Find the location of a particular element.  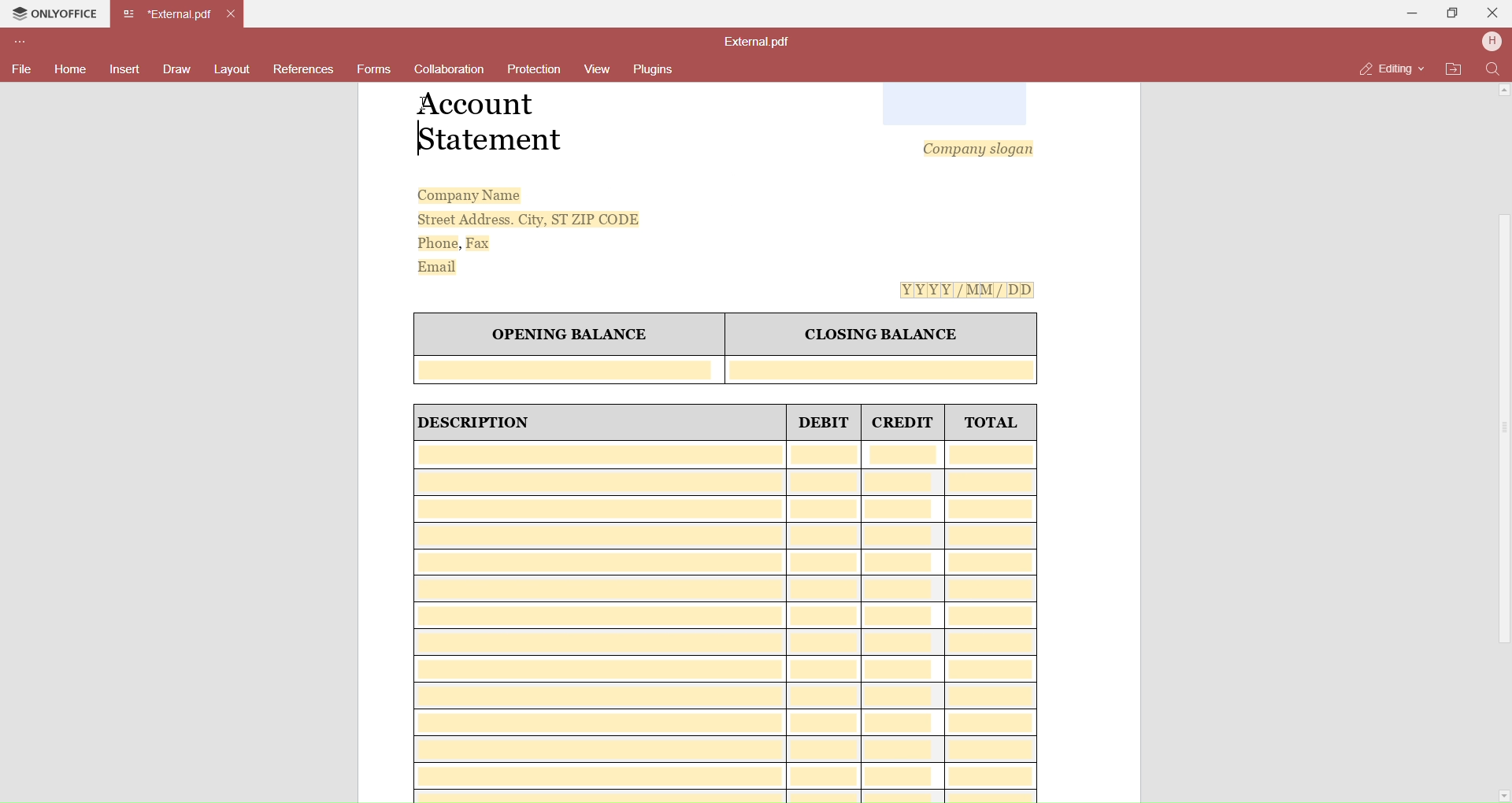

Email is located at coordinates (442, 265).